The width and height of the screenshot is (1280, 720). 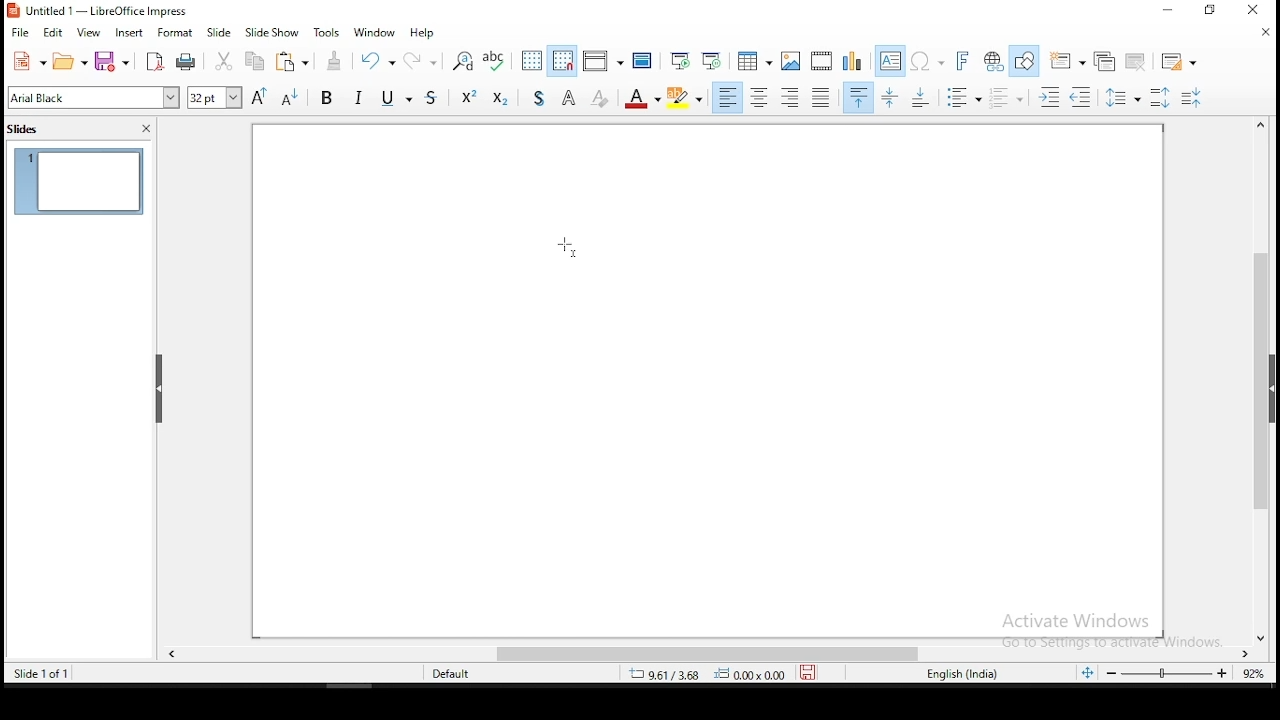 What do you see at coordinates (713, 655) in the screenshot?
I see `scroll bar` at bounding box center [713, 655].